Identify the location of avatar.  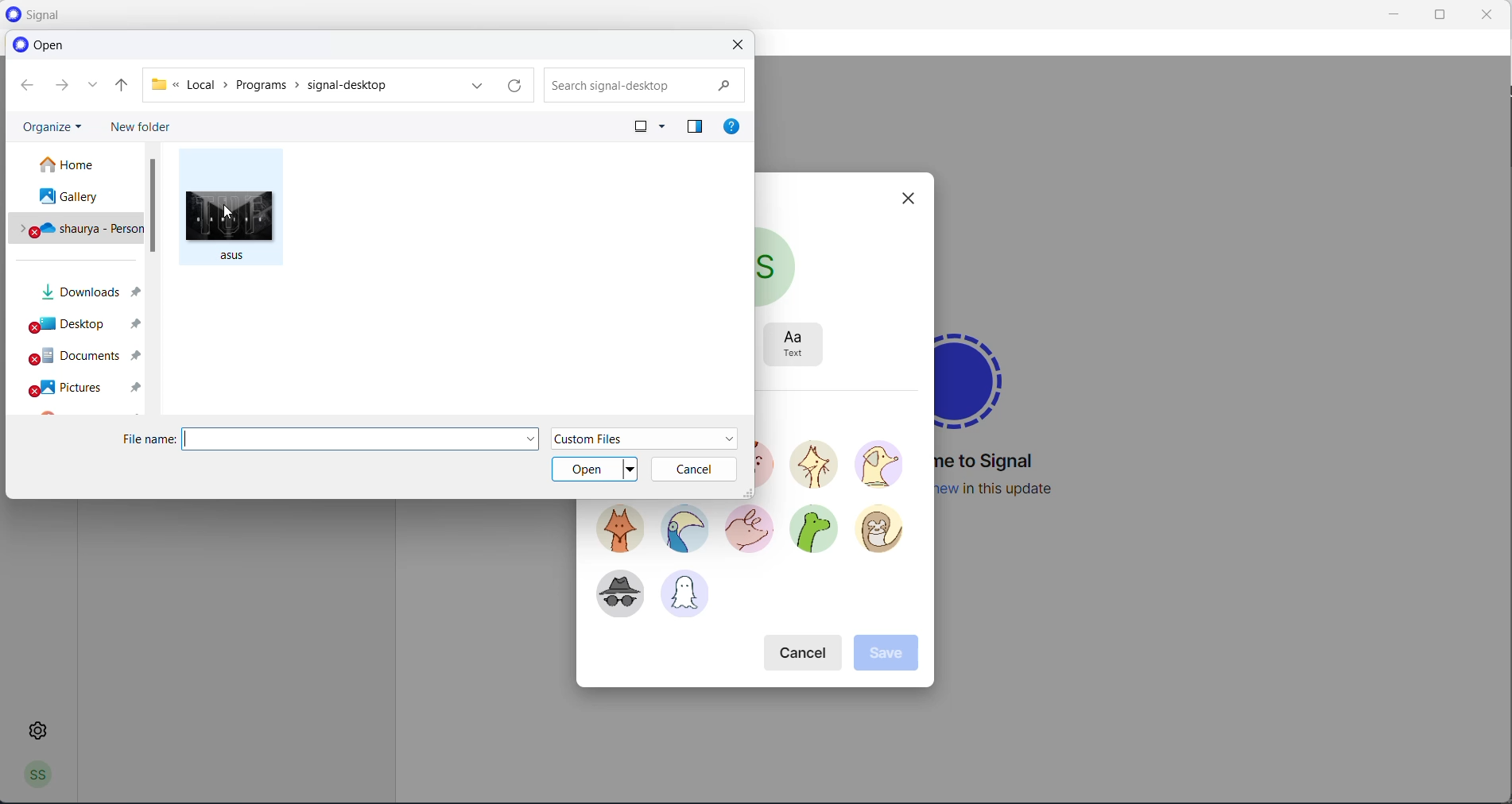
(684, 592).